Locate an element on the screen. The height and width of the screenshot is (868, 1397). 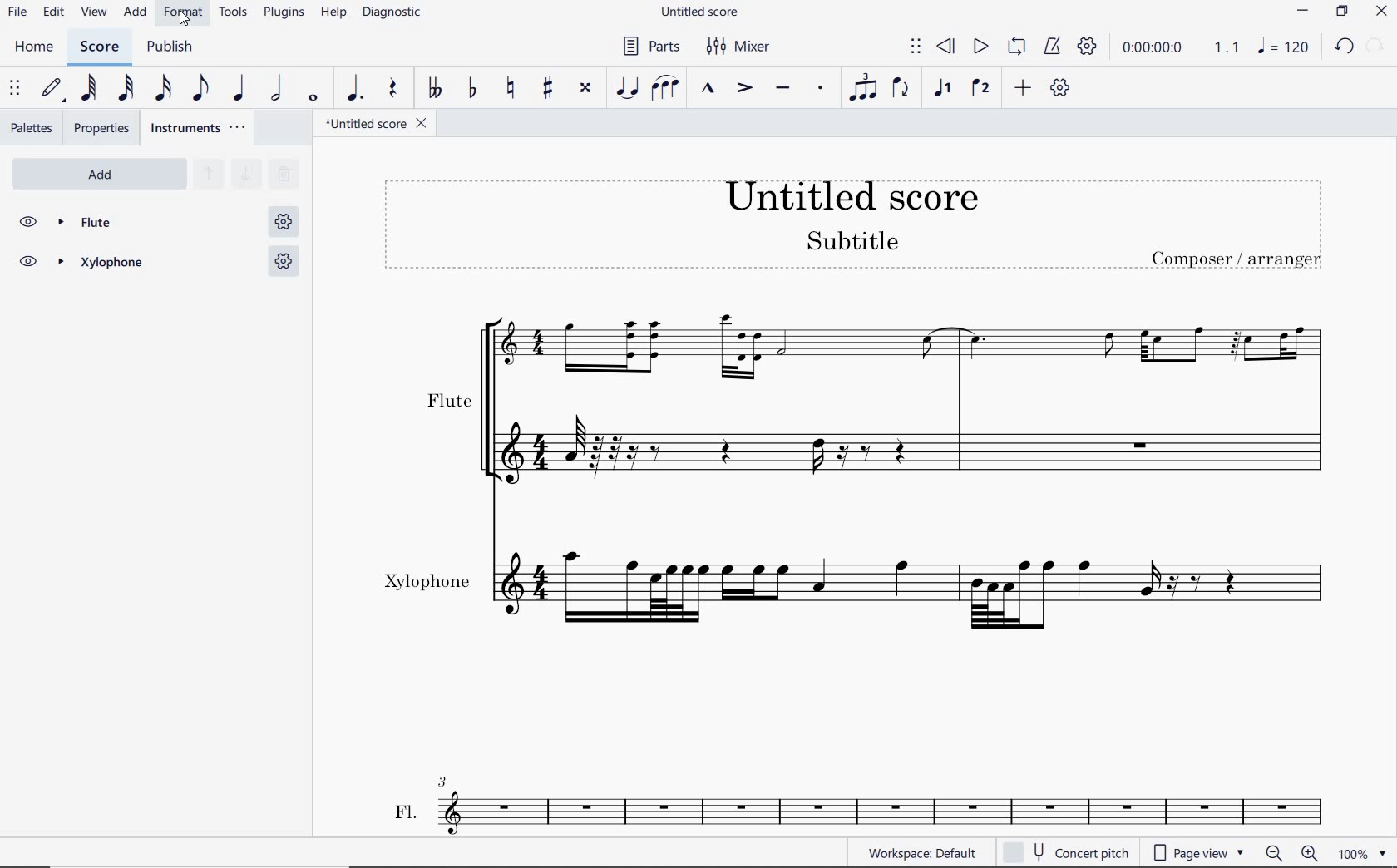
ACCENT is located at coordinates (743, 86).